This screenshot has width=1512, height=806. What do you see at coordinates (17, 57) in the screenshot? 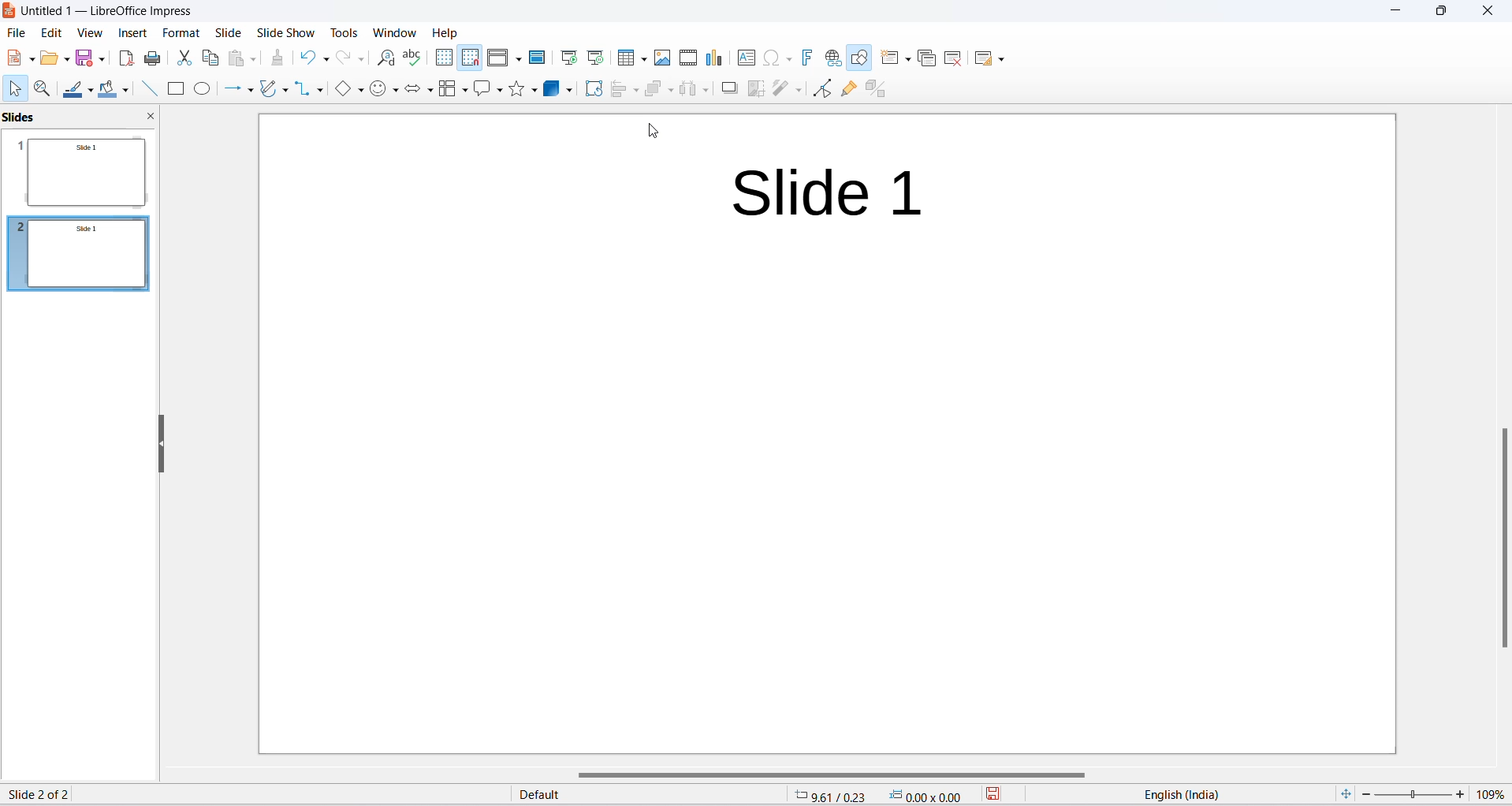
I see `new file options` at bounding box center [17, 57].